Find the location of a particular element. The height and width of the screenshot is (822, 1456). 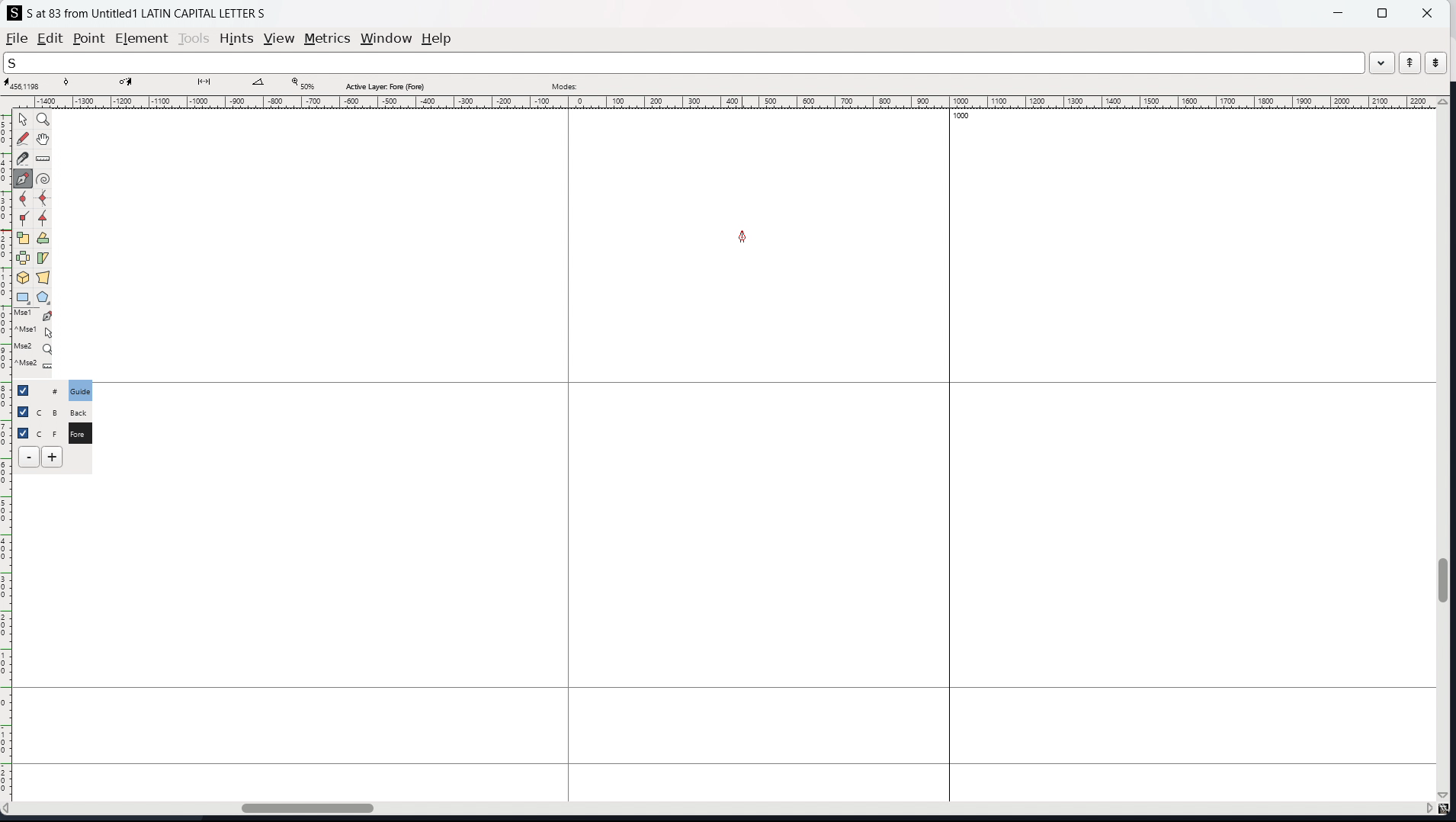

selection toggle is located at coordinates (24, 432).